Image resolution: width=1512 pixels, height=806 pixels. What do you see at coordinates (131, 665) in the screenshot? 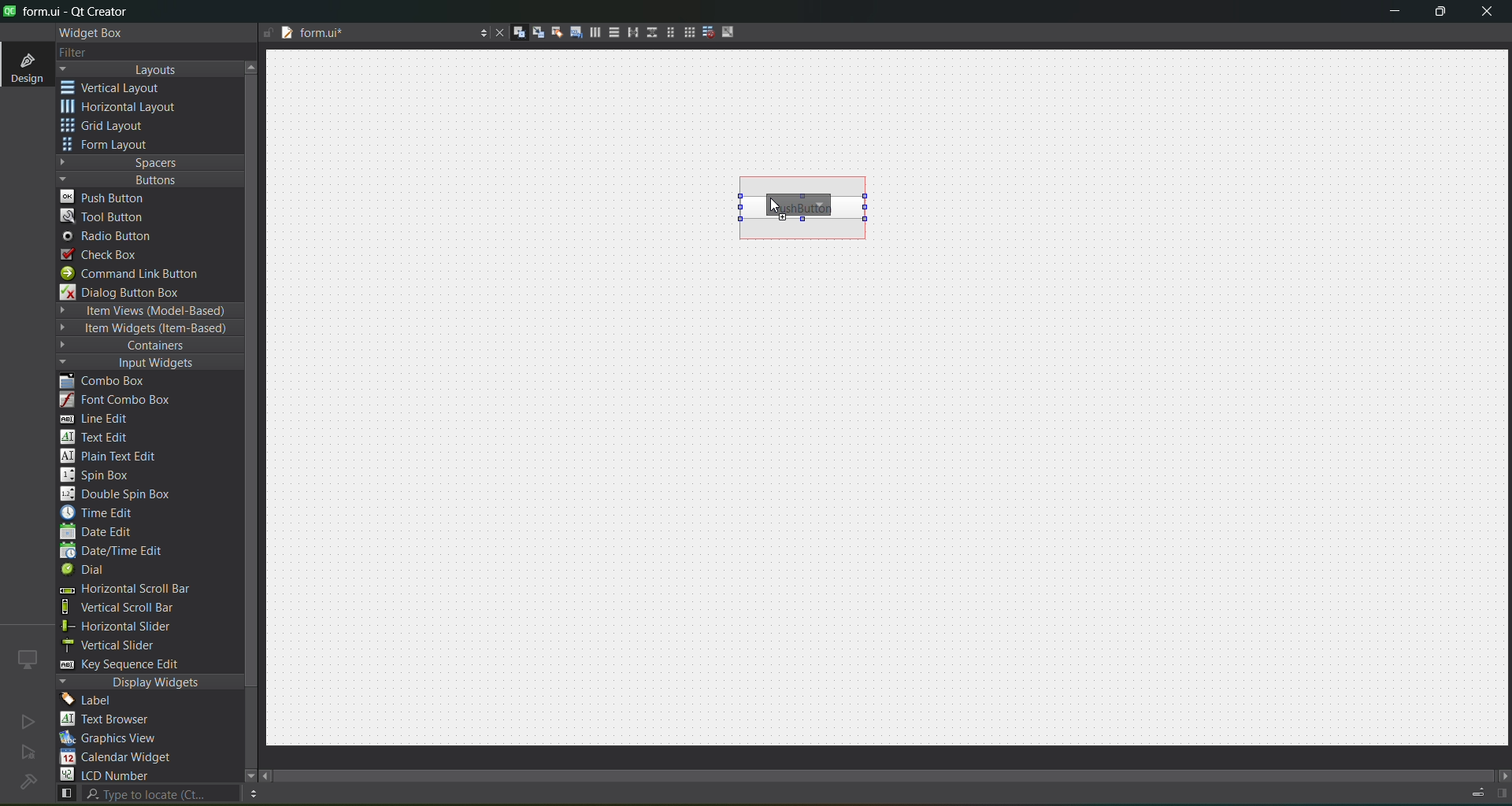
I see `key sequence edit` at bounding box center [131, 665].